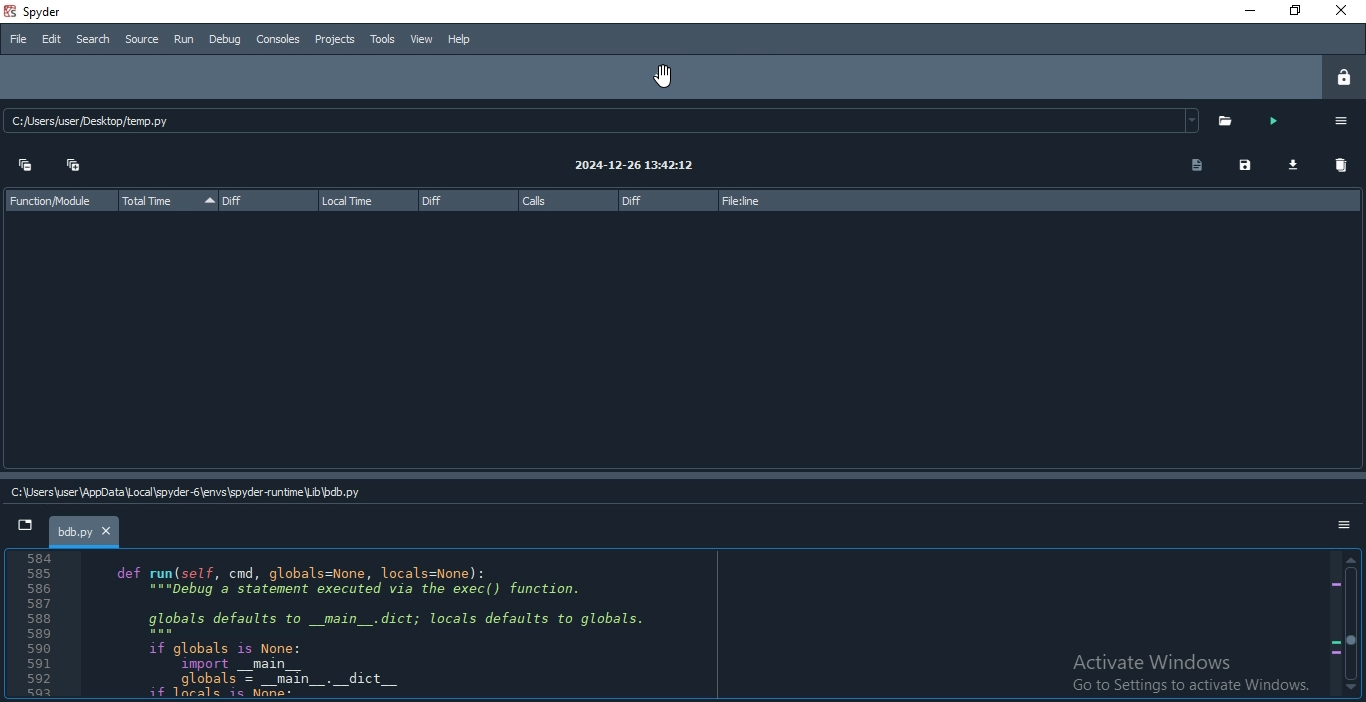 The width and height of the screenshot is (1366, 702). Describe the element at coordinates (567, 200) in the screenshot. I see `calls` at that location.